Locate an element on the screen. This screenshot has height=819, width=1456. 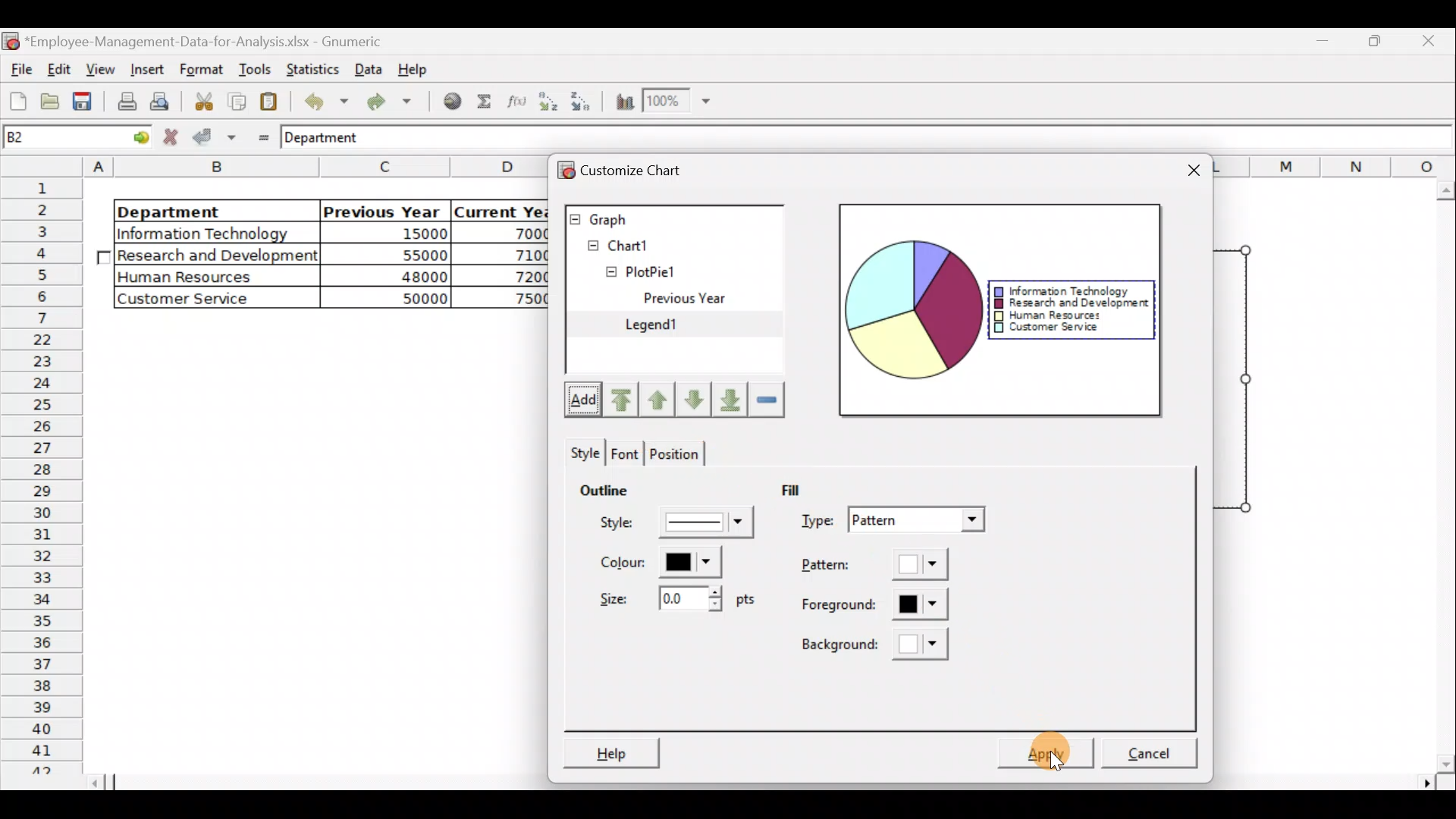
Style is located at coordinates (670, 526).